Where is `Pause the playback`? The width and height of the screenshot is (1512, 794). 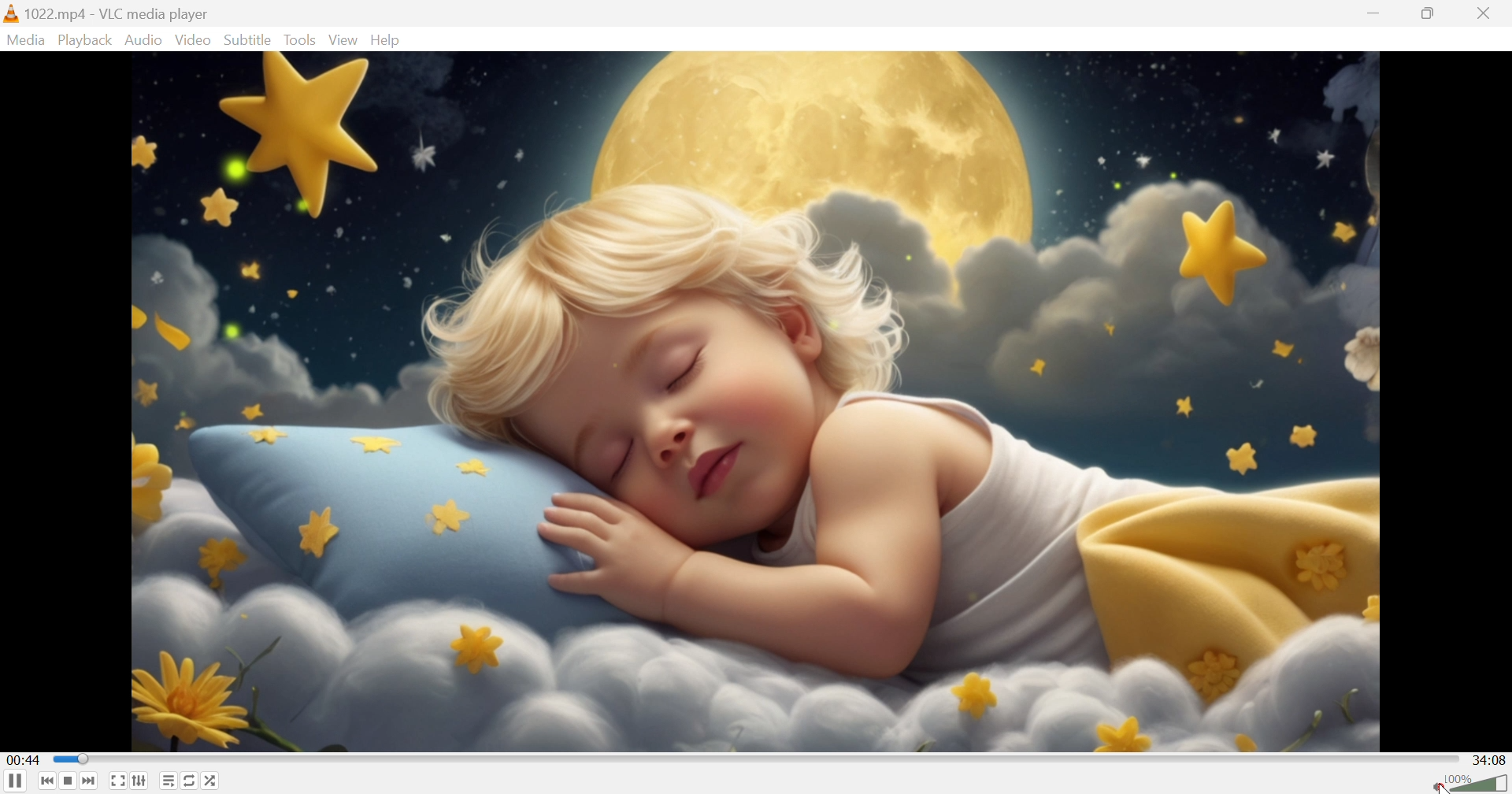
Pause the playback is located at coordinates (14, 782).